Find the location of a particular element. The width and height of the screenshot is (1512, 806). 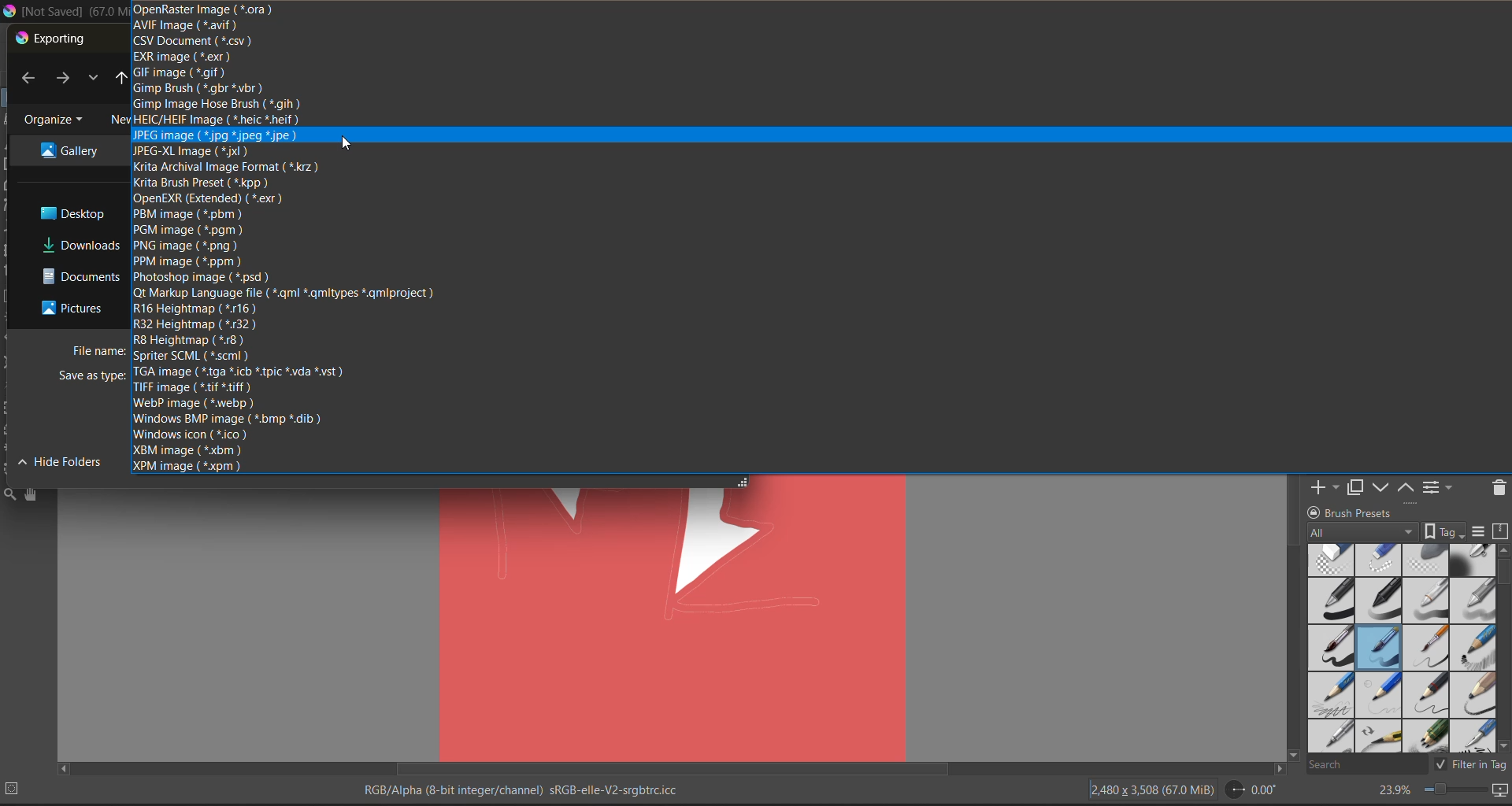

sprinter scml is located at coordinates (206, 357).